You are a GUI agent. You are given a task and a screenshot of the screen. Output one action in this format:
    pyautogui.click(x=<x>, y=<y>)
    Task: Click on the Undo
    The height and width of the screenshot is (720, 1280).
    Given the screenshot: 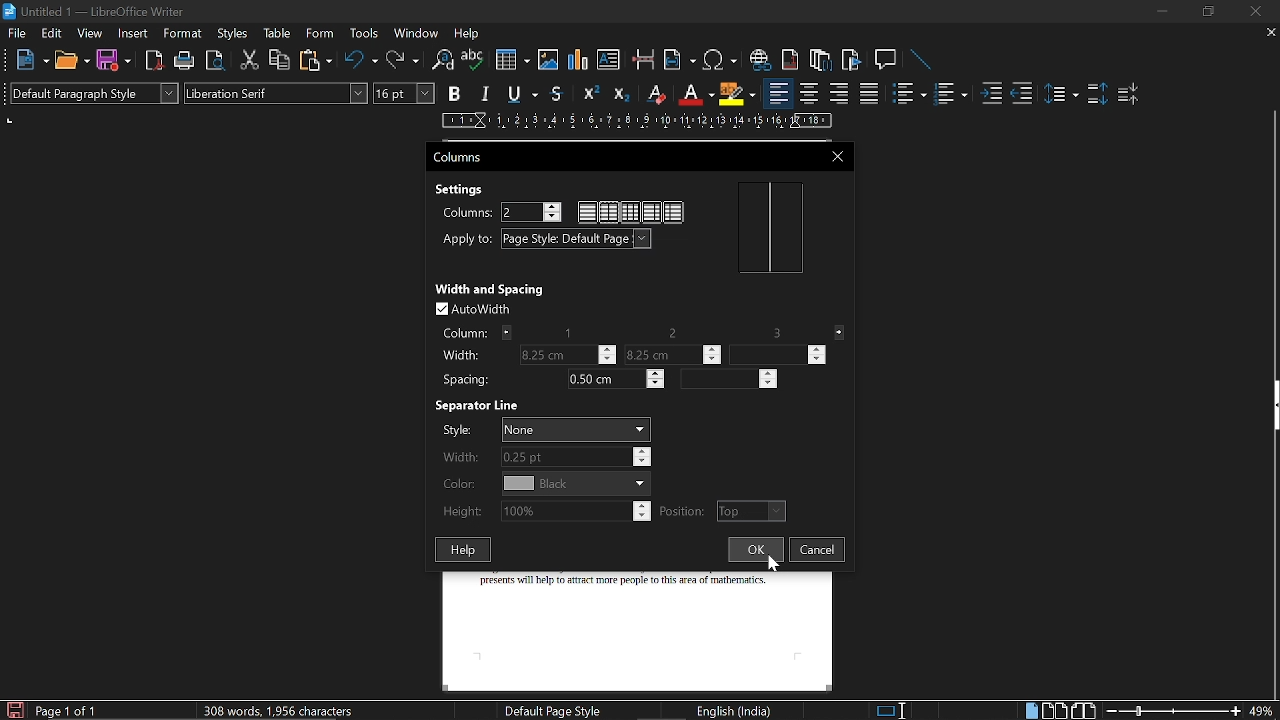 What is the action you would take?
    pyautogui.click(x=362, y=60)
    